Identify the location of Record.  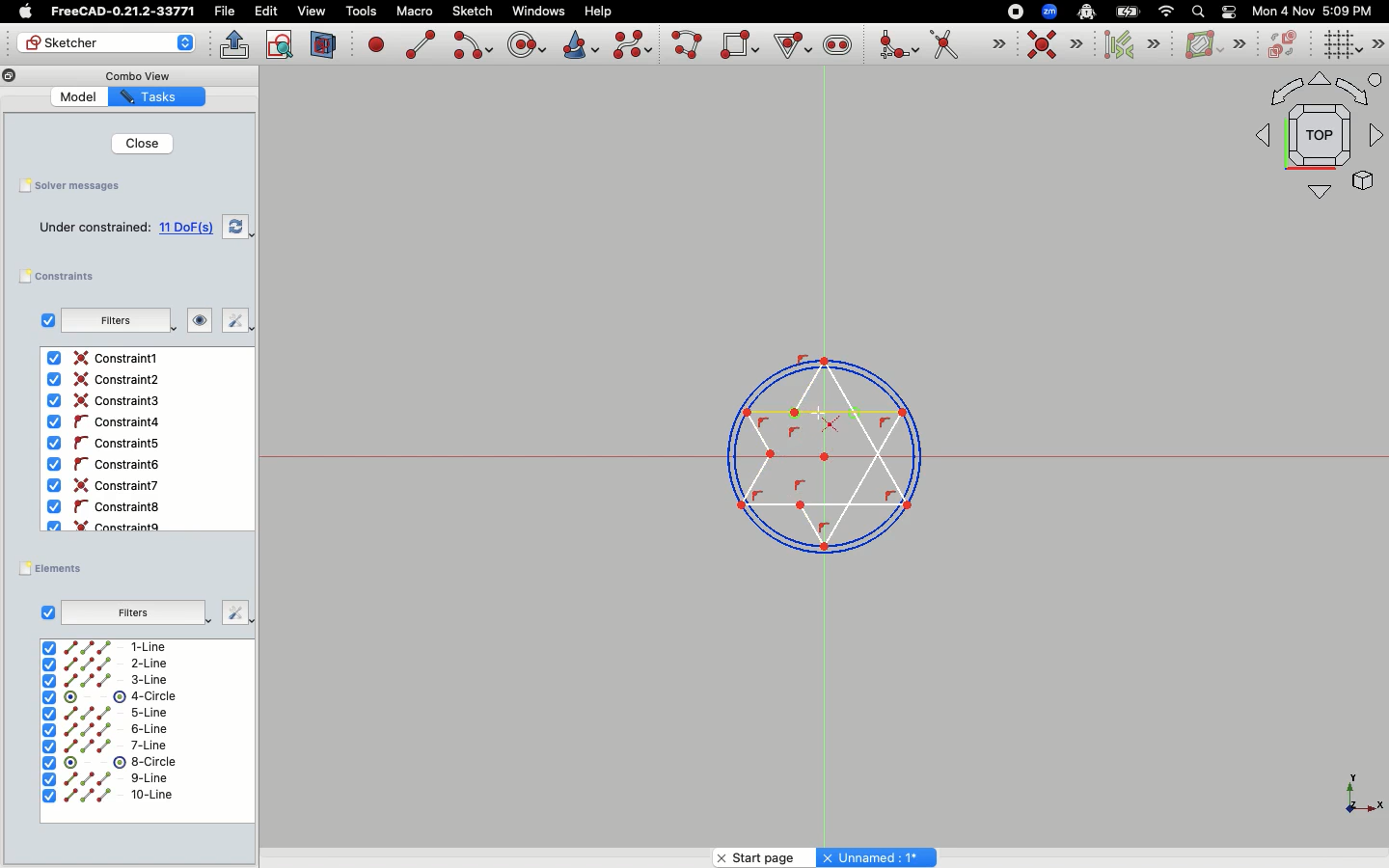
(1011, 11).